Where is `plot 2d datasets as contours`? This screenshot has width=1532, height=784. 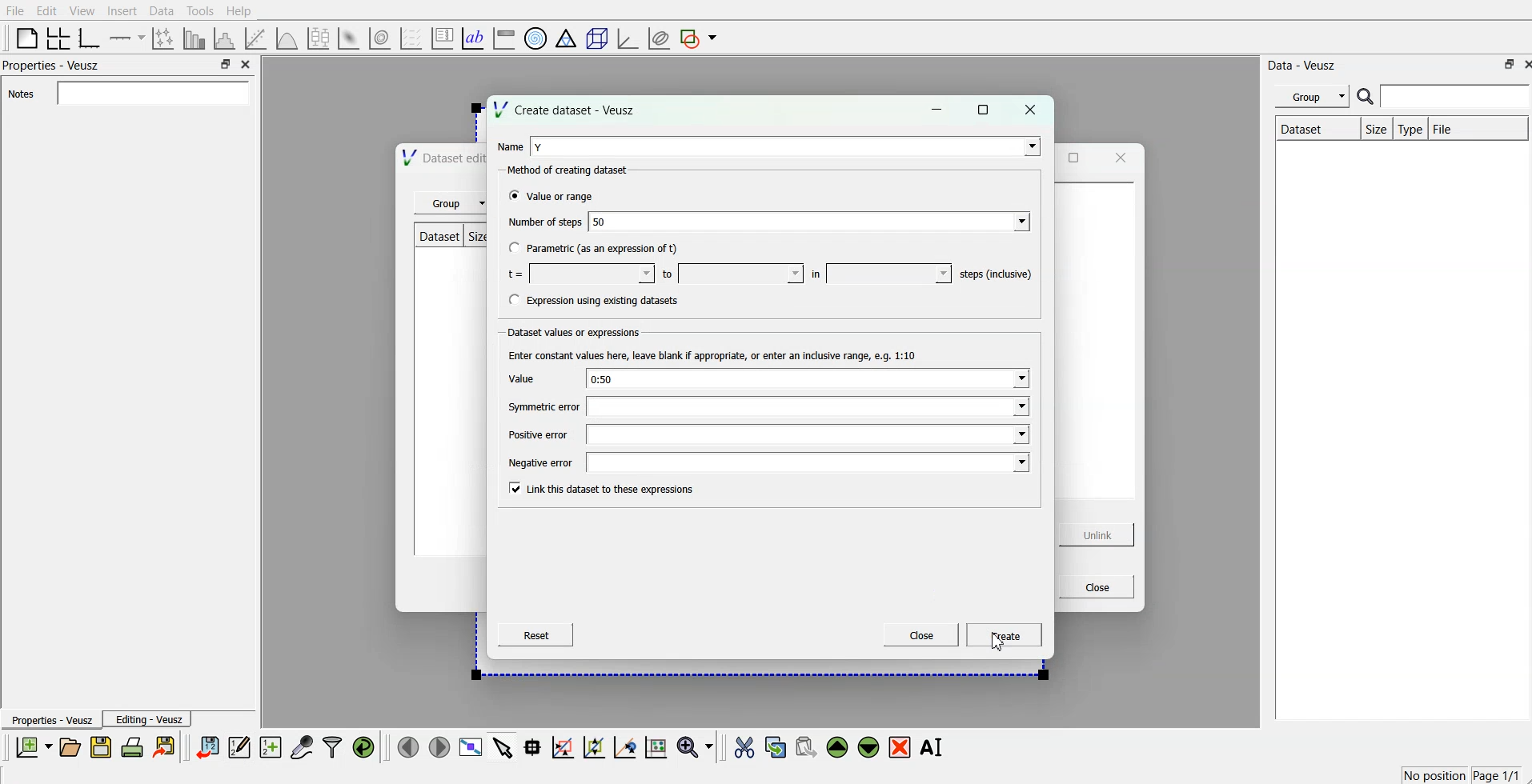 plot 2d datasets as contours is located at coordinates (380, 36).